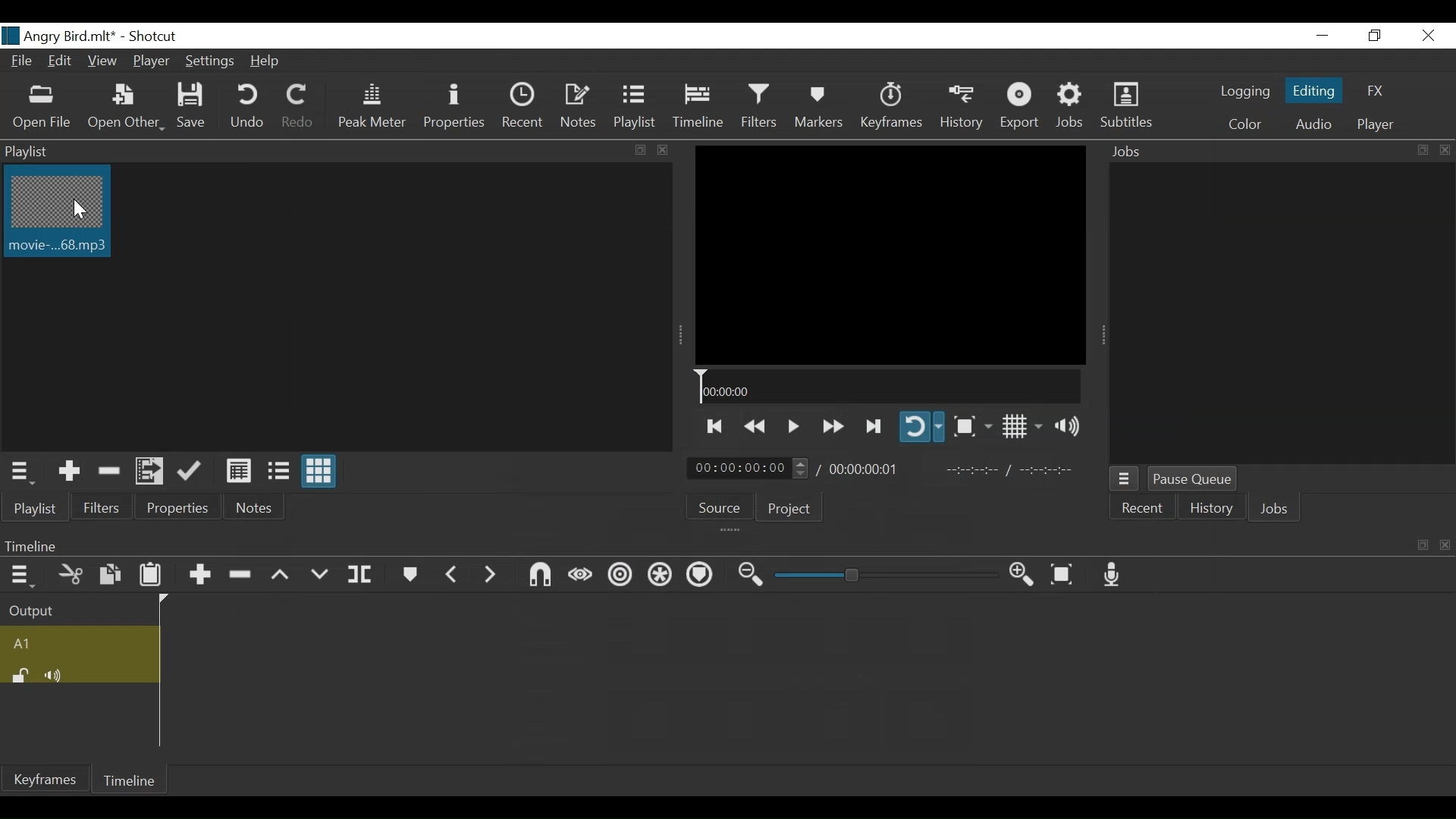 This screenshot has height=819, width=1456. What do you see at coordinates (792, 423) in the screenshot?
I see `Toggle play or pause (space)` at bounding box center [792, 423].